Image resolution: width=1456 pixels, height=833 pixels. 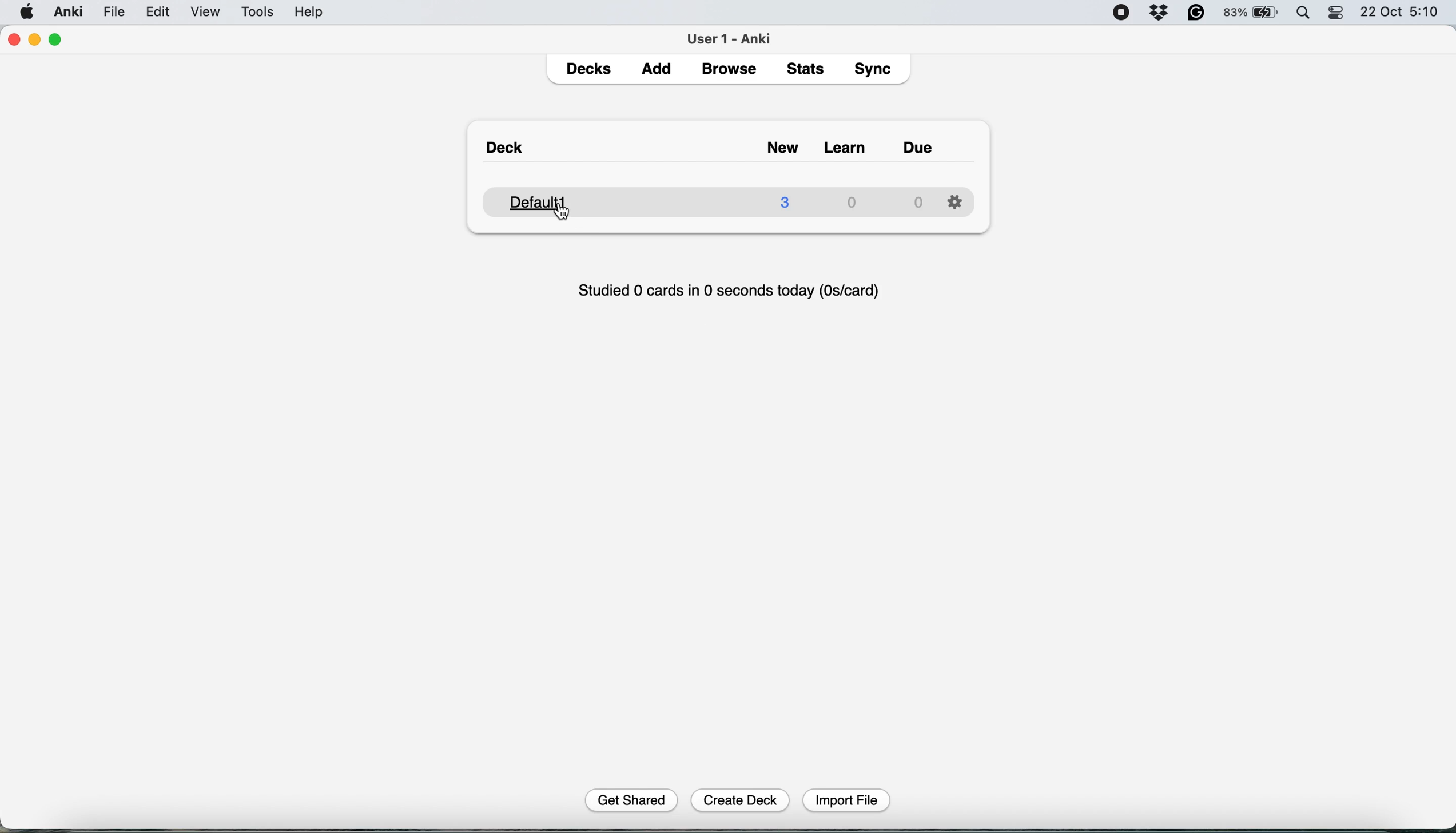 I want to click on edit, so click(x=162, y=13).